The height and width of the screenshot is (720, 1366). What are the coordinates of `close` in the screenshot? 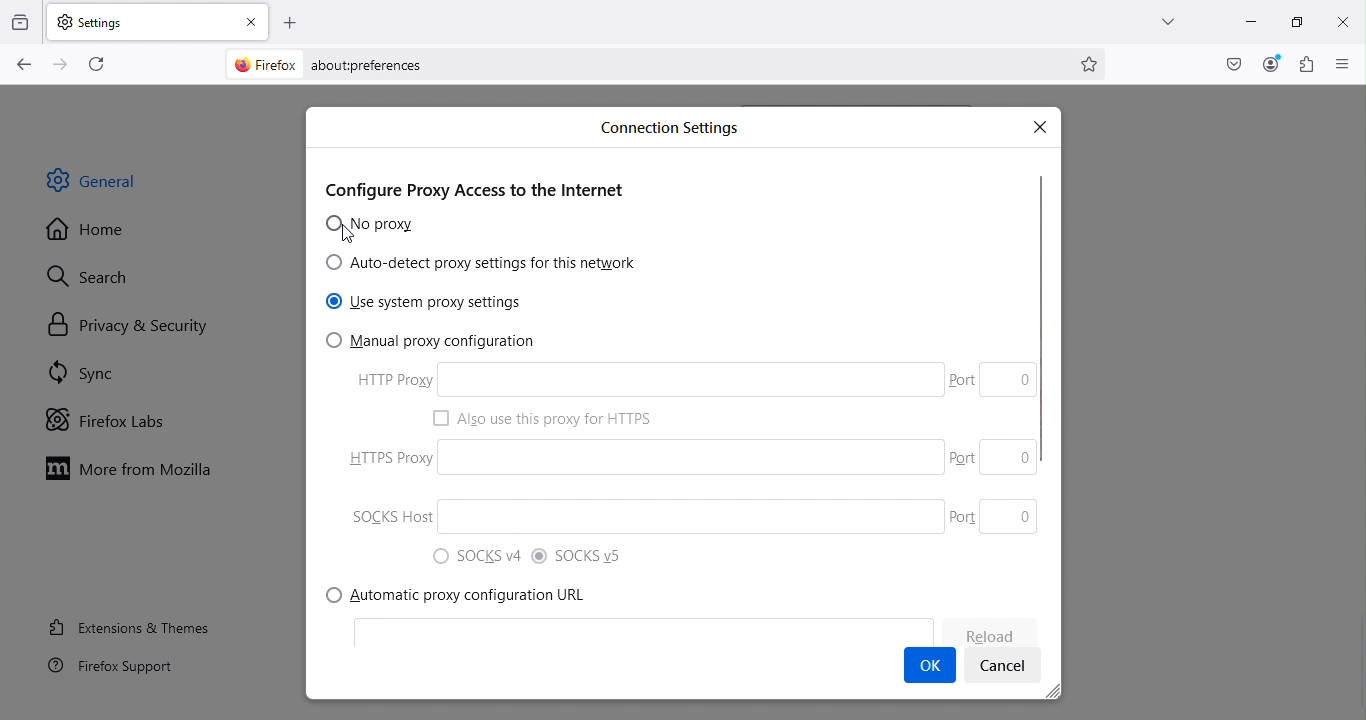 It's located at (252, 19).